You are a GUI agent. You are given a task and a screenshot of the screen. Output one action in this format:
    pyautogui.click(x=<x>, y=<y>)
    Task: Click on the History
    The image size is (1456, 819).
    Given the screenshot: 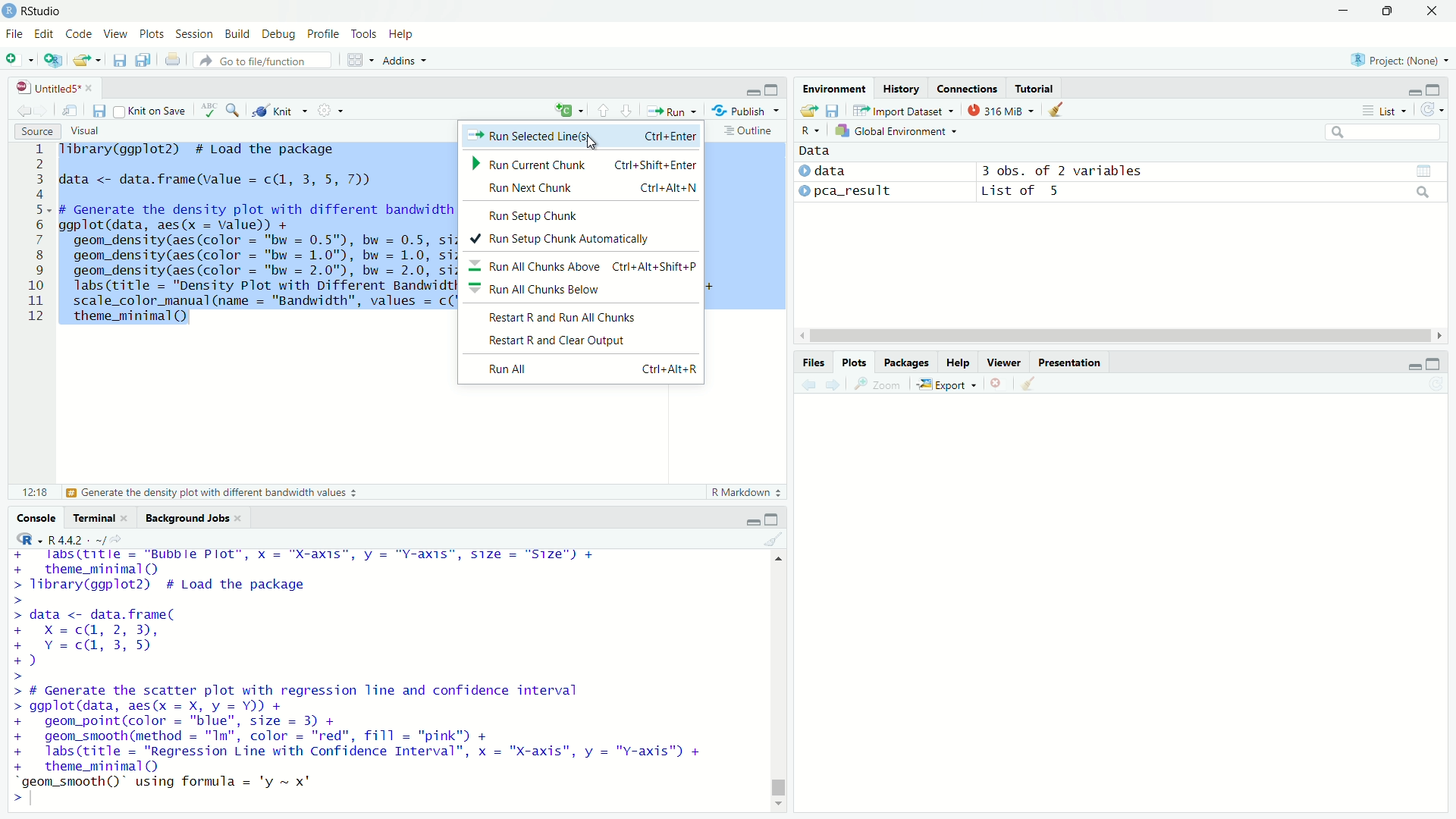 What is the action you would take?
    pyautogui.click(x=901, y=87)
    